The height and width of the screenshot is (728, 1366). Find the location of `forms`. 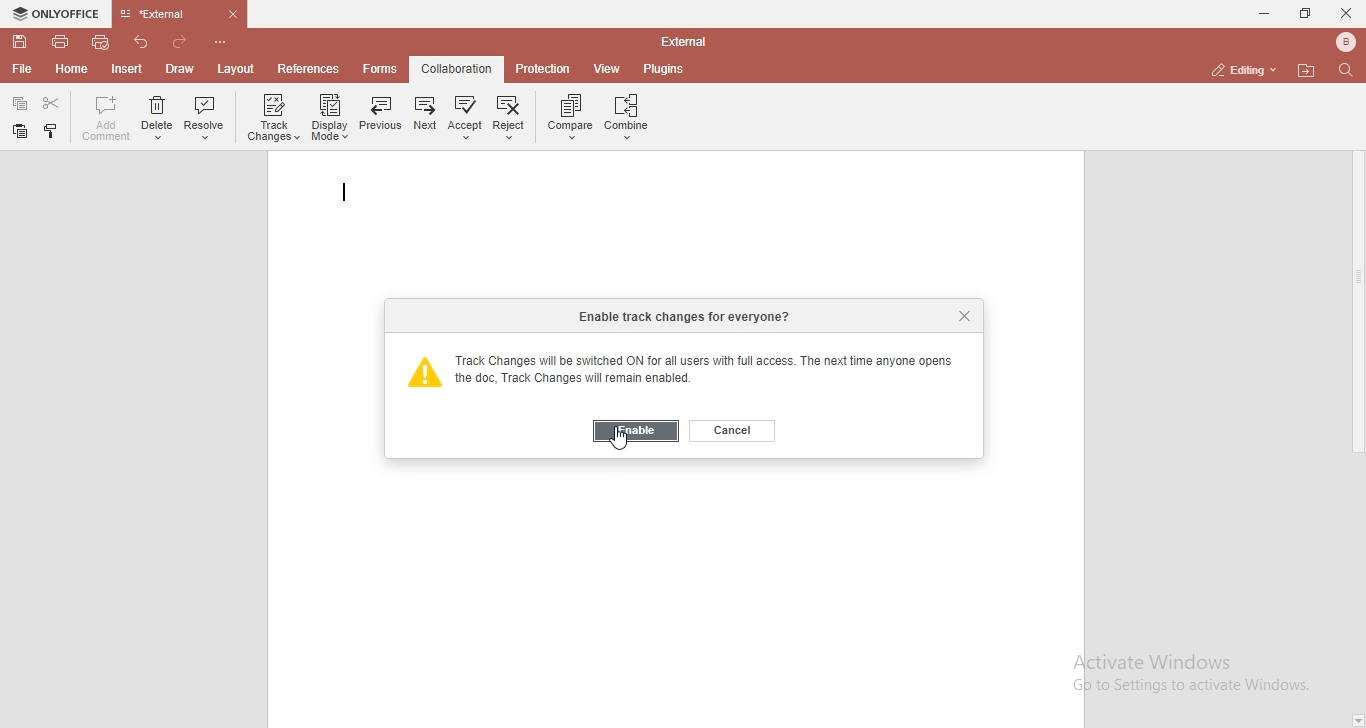

forms is located at coordinates (383, 69).